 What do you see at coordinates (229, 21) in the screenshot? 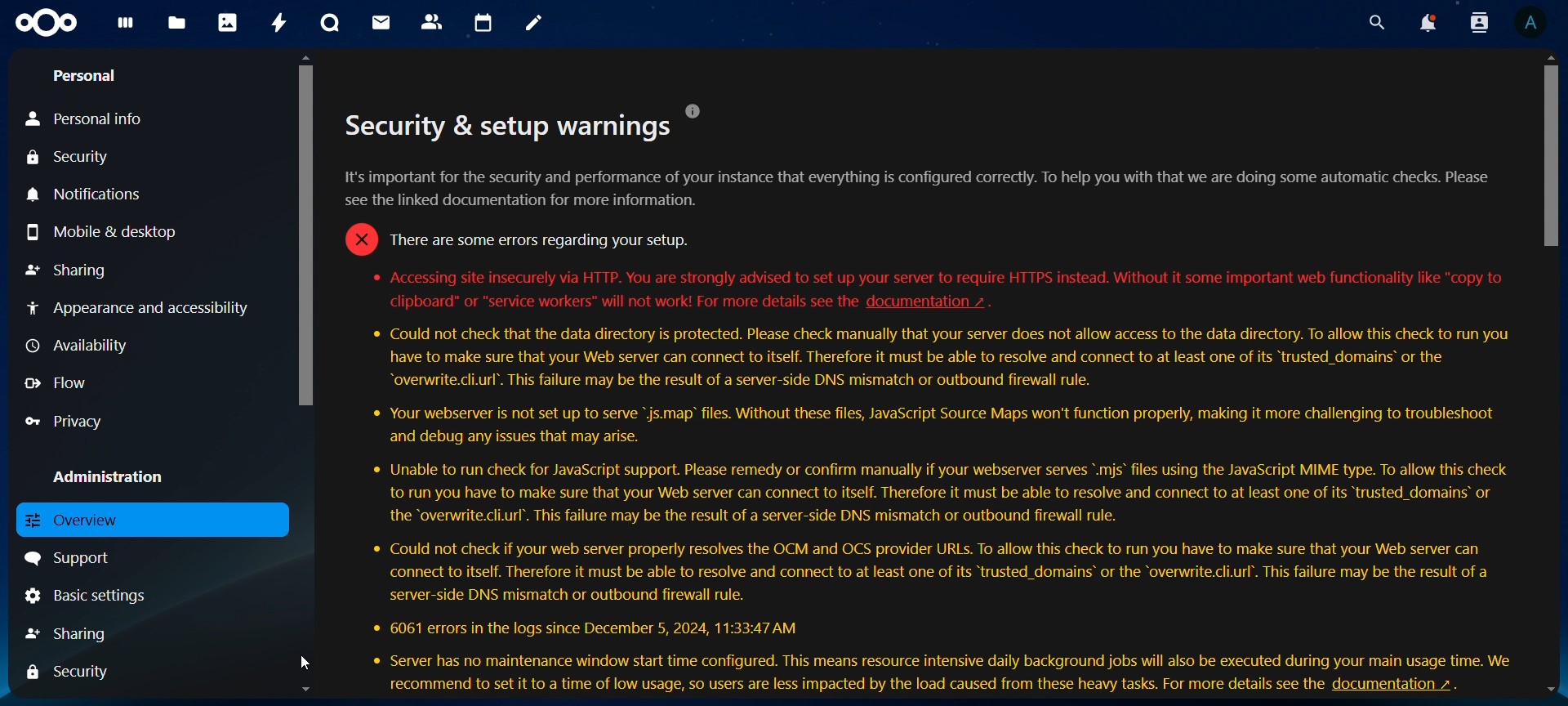
I see `photos` at bounding box center [229, 21].